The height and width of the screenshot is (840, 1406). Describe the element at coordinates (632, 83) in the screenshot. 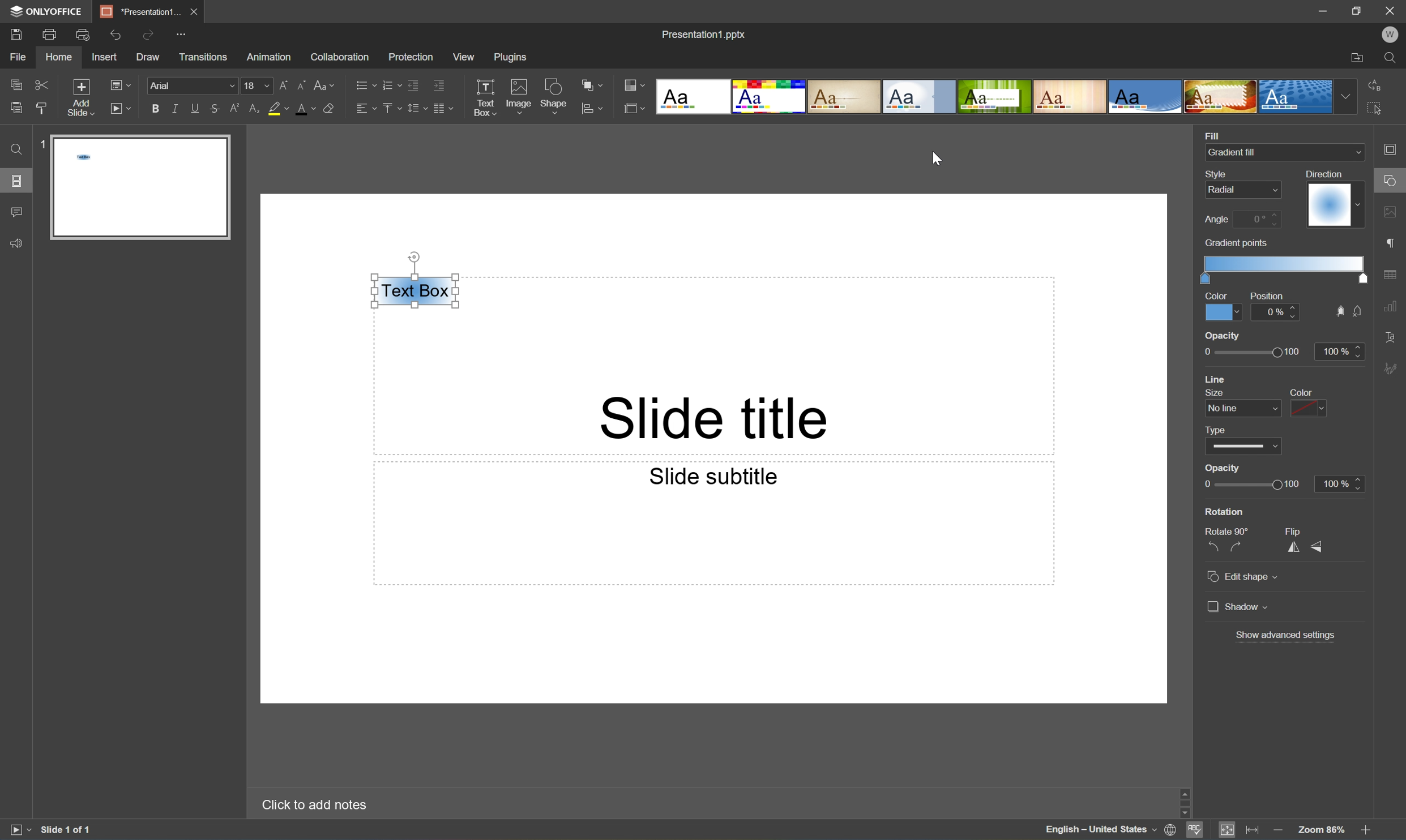

I see `Change color theme` at that location.